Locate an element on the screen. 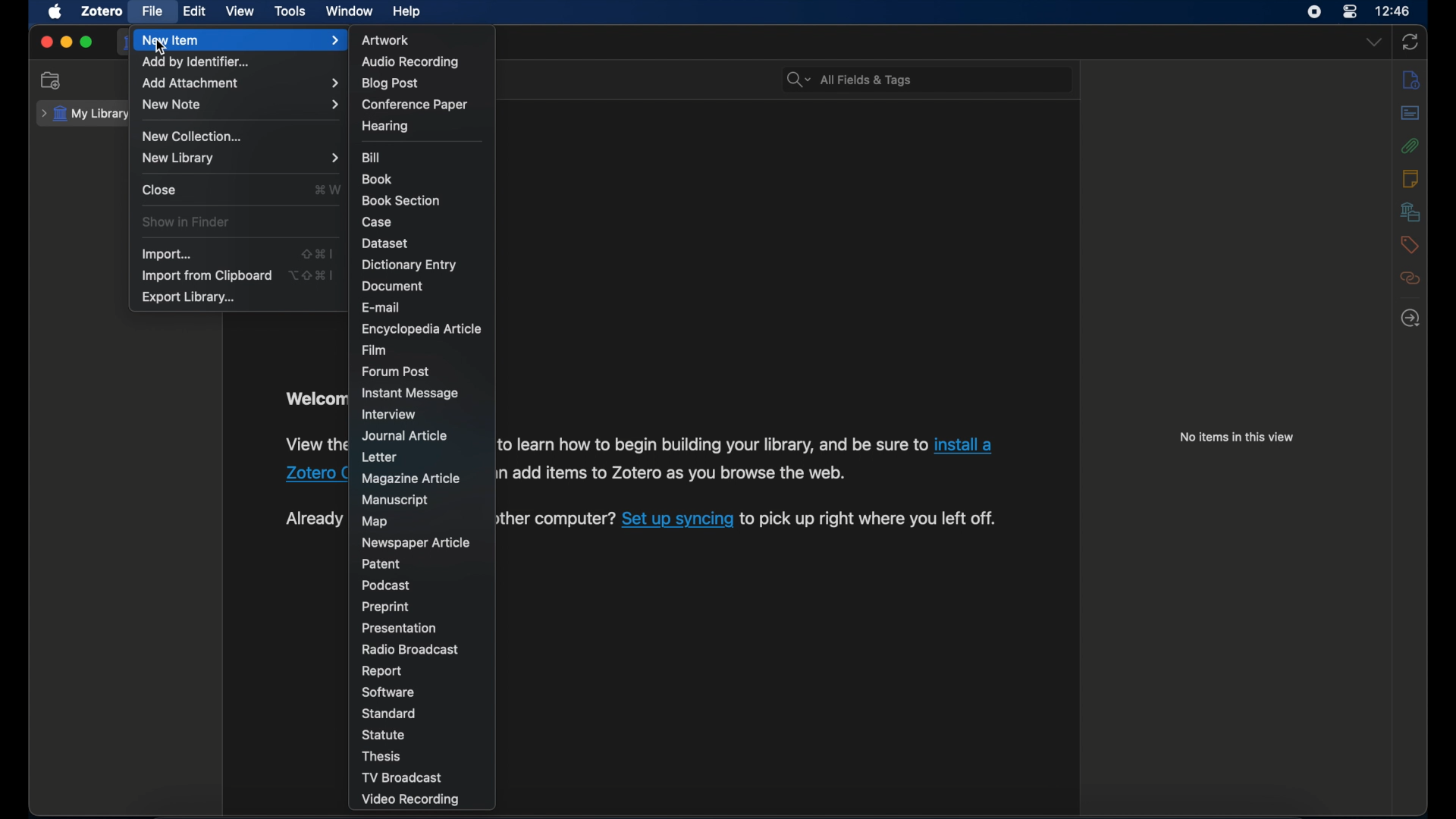  add item by identifier is located at coordinates (196, 63).